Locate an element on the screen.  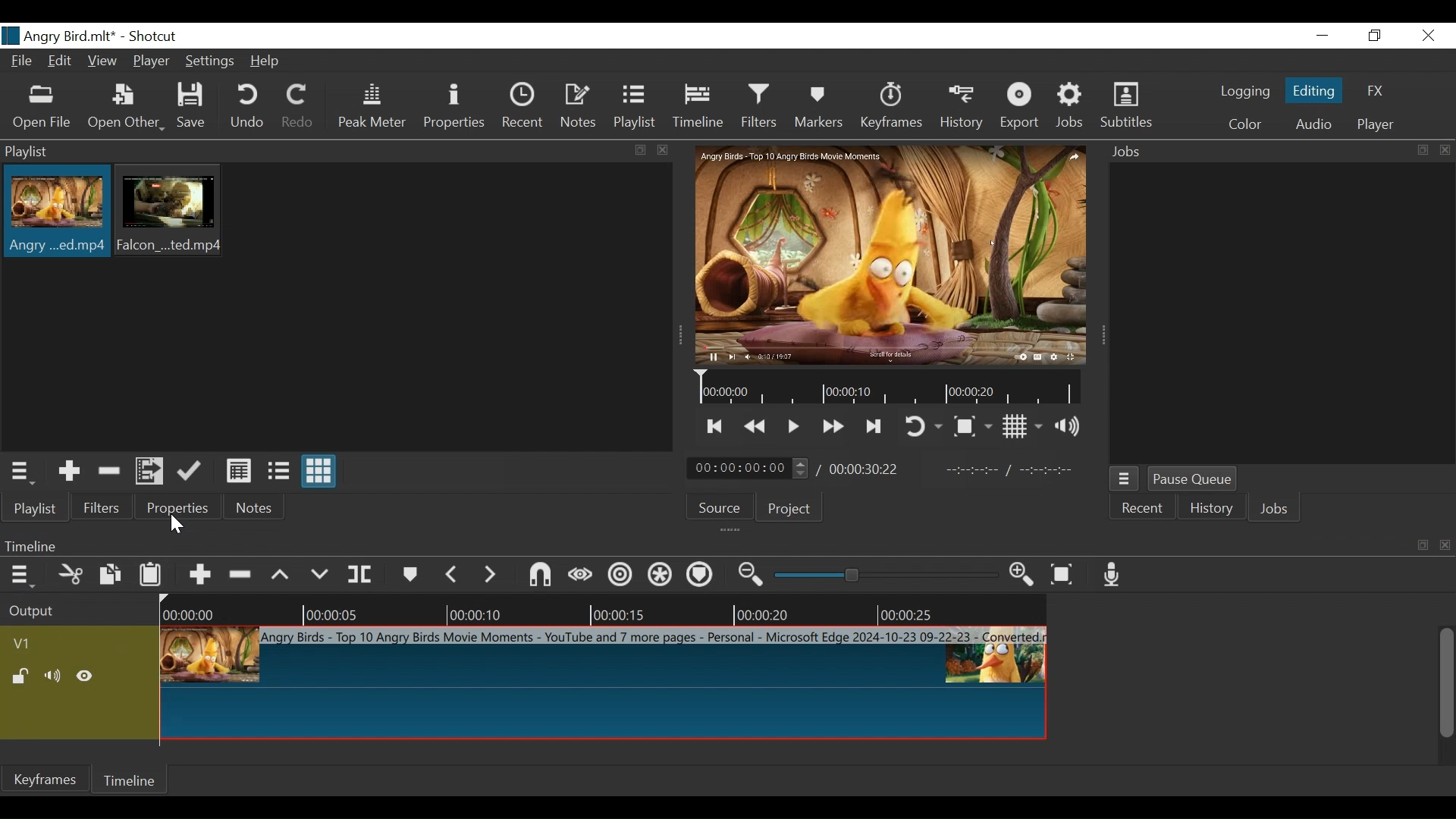
Slider is located at coordinates (886, 575).